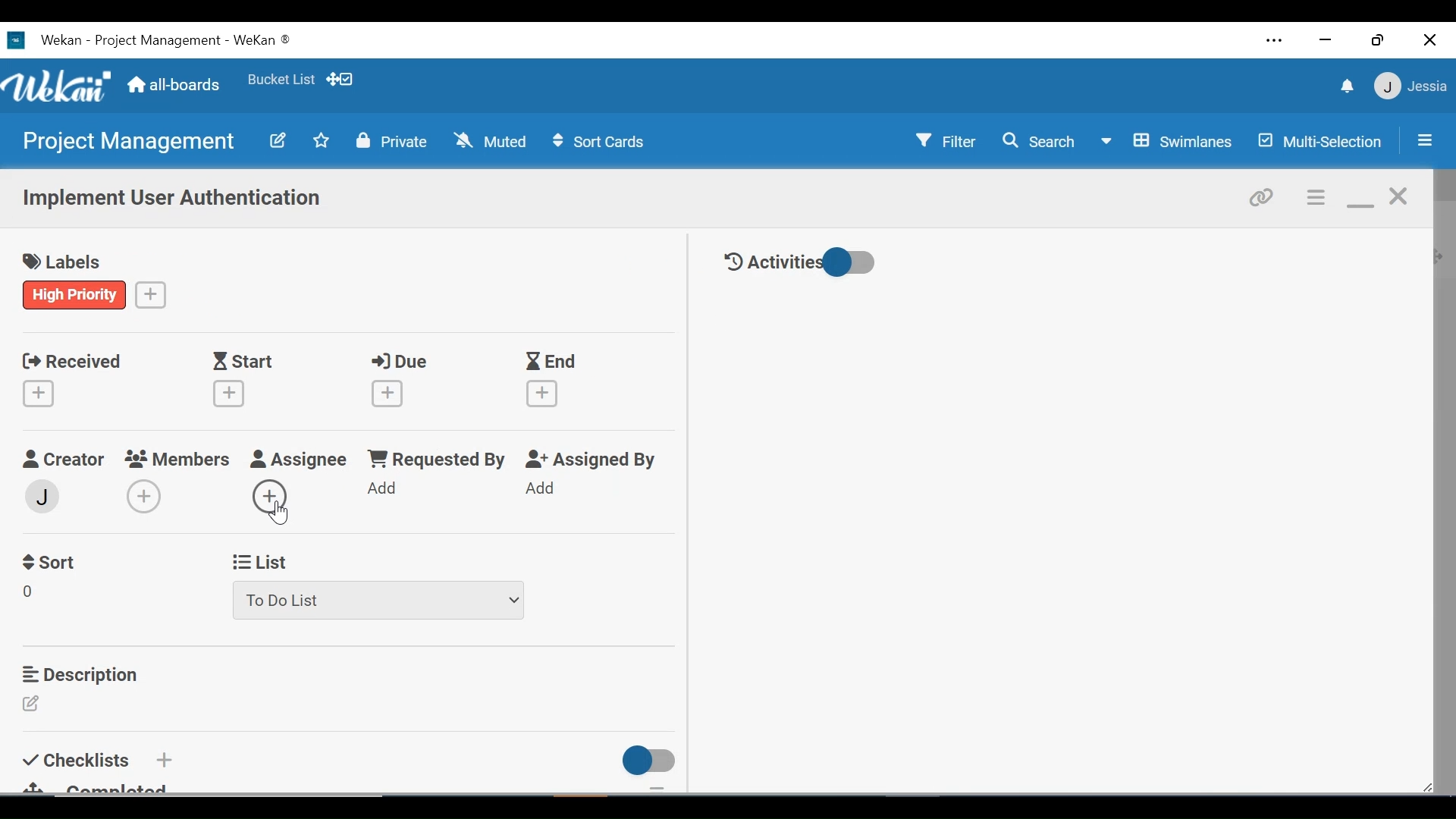 The height and width of the screenshot is (819, 1456). I want to click on Restore, so click(1379, 39).